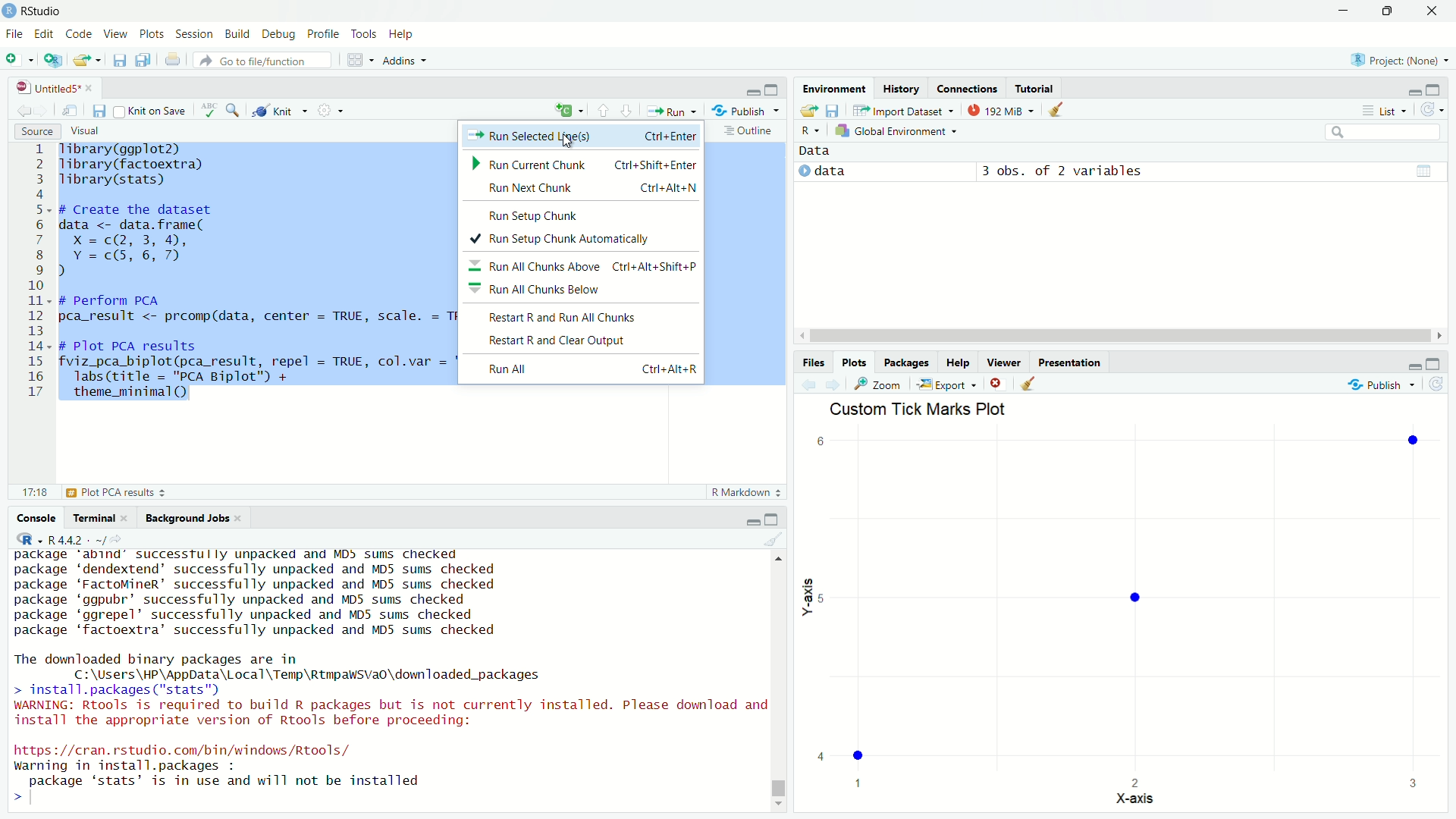  What do you see at coordinates (100, 111) in the screenshot?
I see `save current document` at bounding box center [100, 111].